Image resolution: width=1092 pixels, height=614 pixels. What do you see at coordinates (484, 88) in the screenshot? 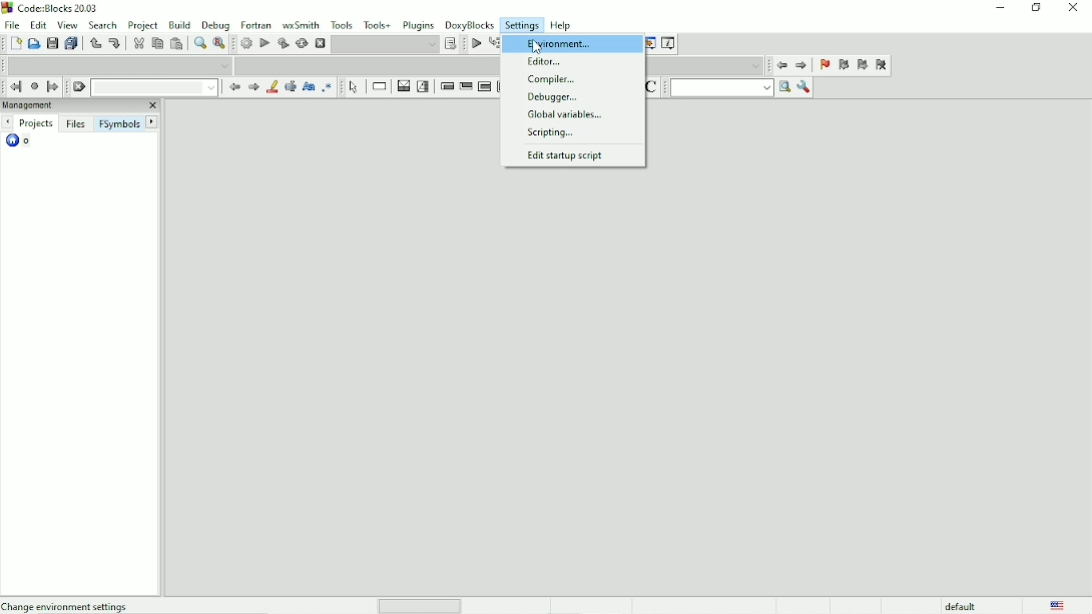
I see `Counting loop` at bounding box center [484, 88].